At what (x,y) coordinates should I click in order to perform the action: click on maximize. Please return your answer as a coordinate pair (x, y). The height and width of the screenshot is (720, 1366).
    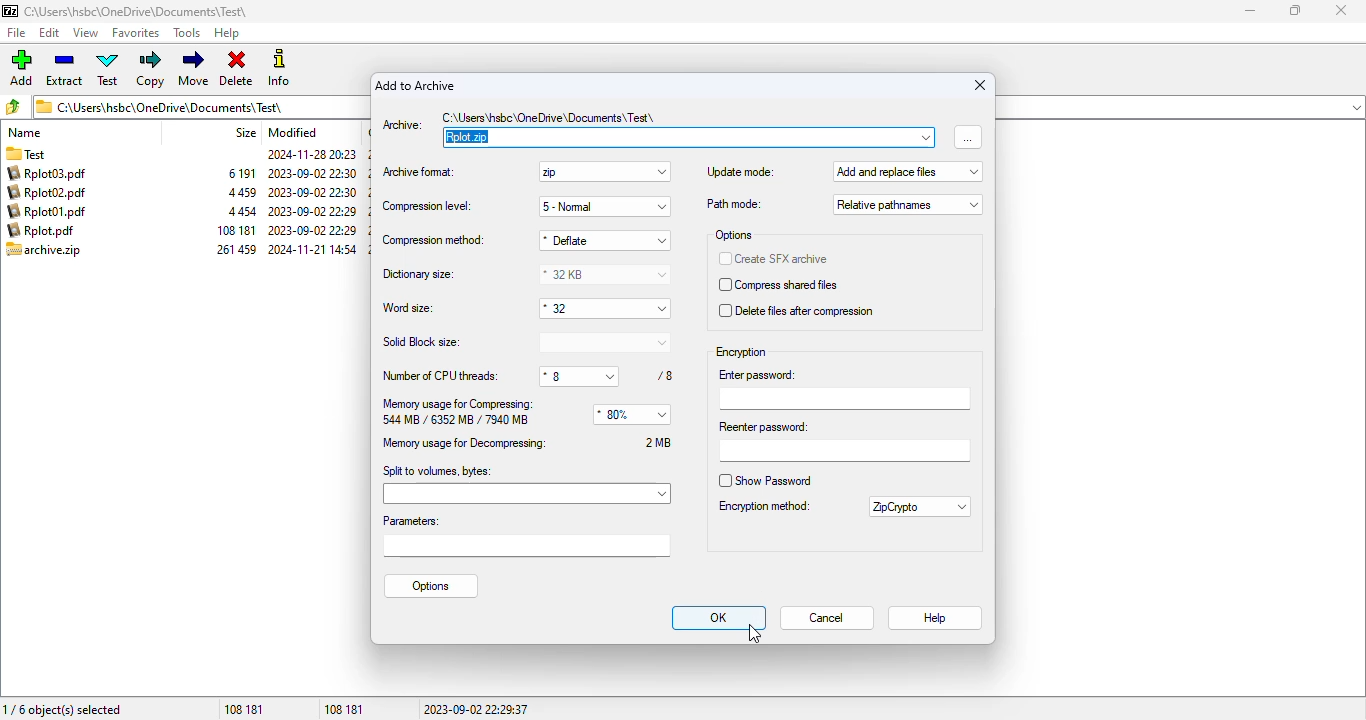
    Looking at the image, I should click on (1295, 9).